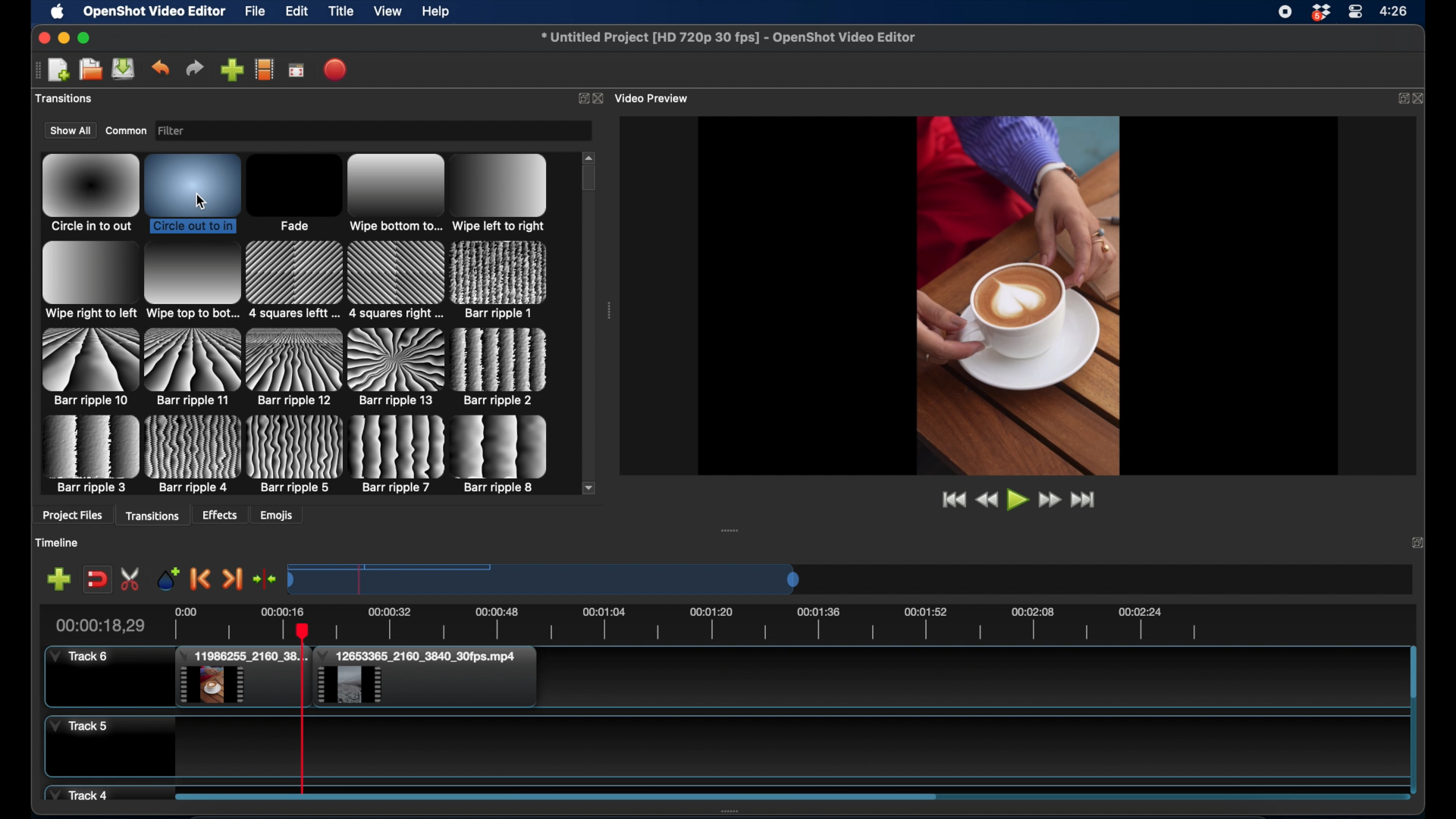 Image resolution: width=1456 pixels, height=819 pixels. Describe the element at coordinates (67, 99) in the screenshot. I see `project files` at that location.